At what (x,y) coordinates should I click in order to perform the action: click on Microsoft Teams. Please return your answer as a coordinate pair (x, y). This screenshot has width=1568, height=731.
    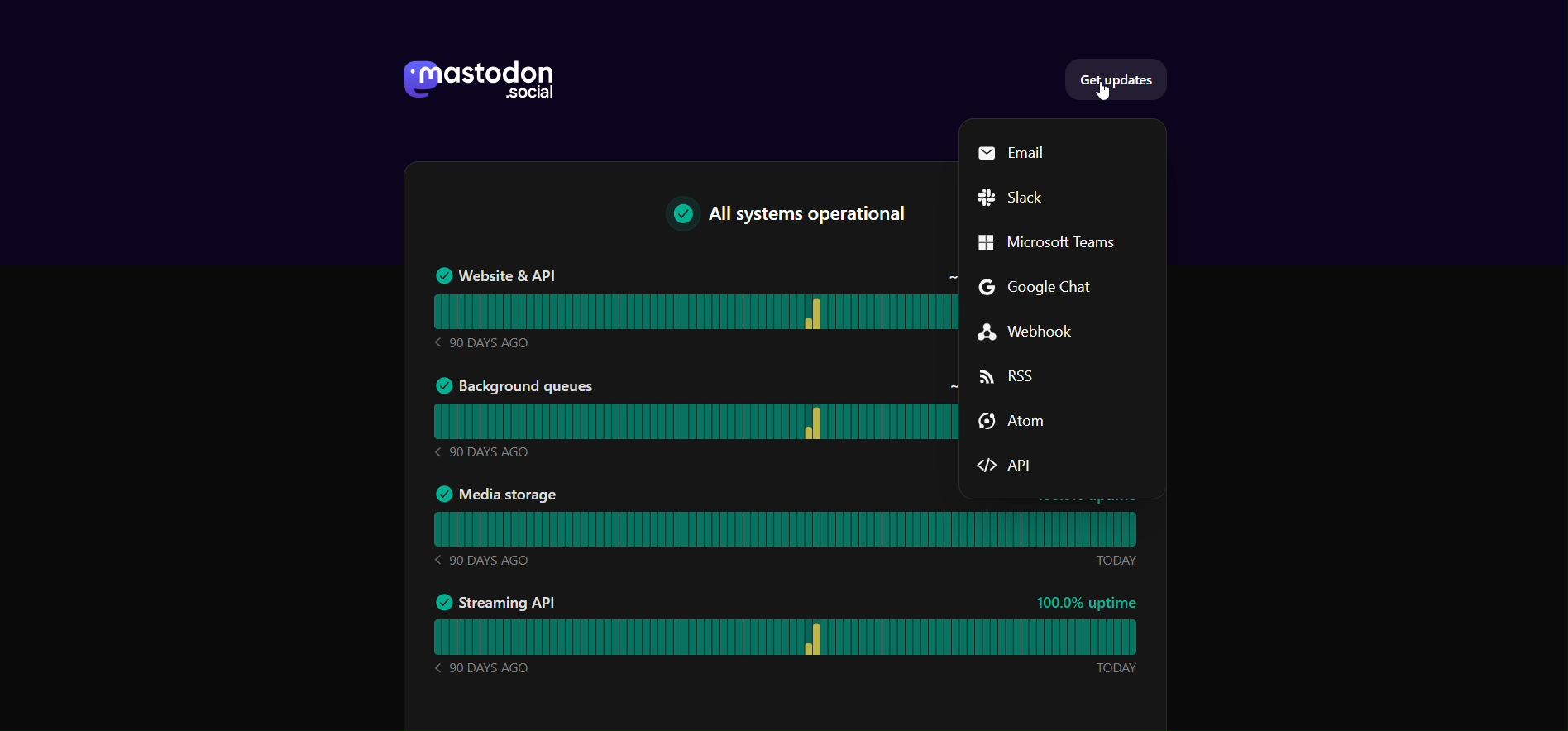
    Looking at the image, I should click on (1059, 243).